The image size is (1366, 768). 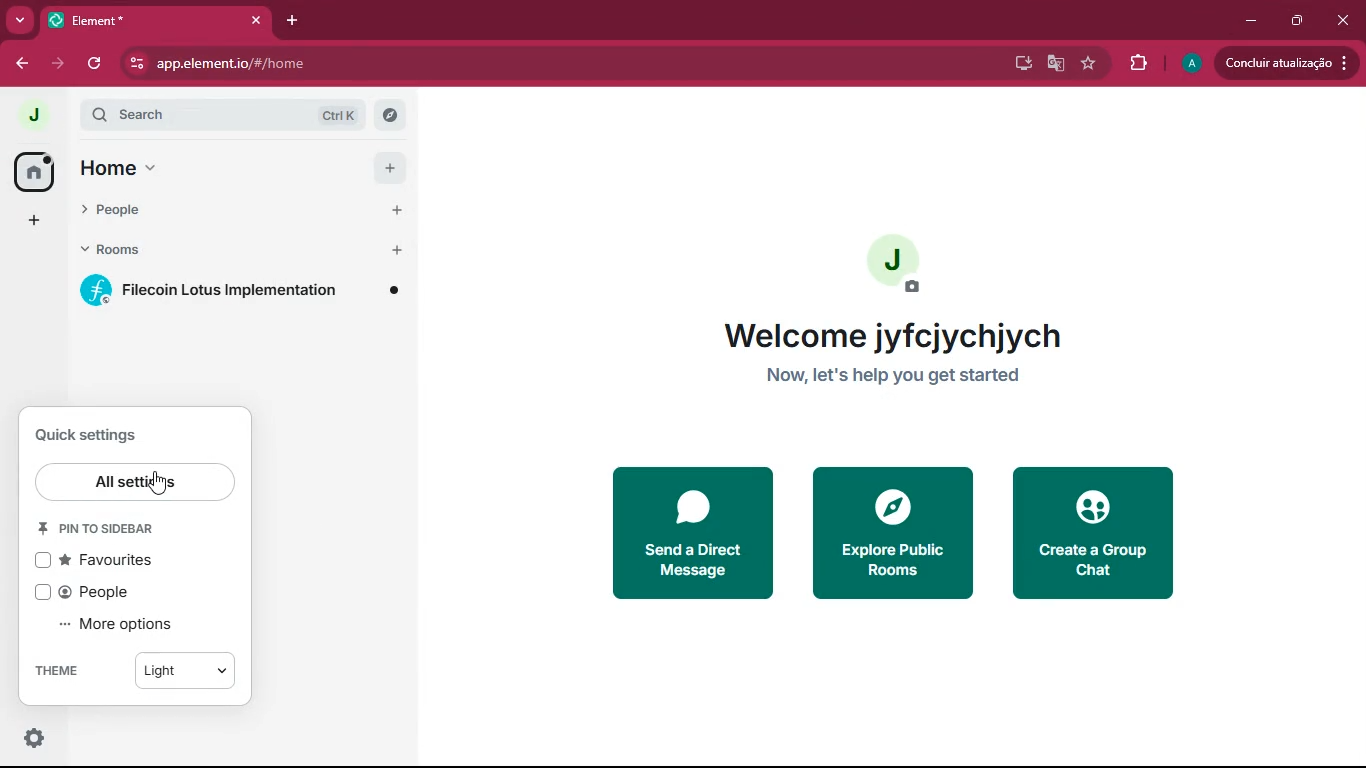 I want to click on add tab, so click(x=291, y=20).